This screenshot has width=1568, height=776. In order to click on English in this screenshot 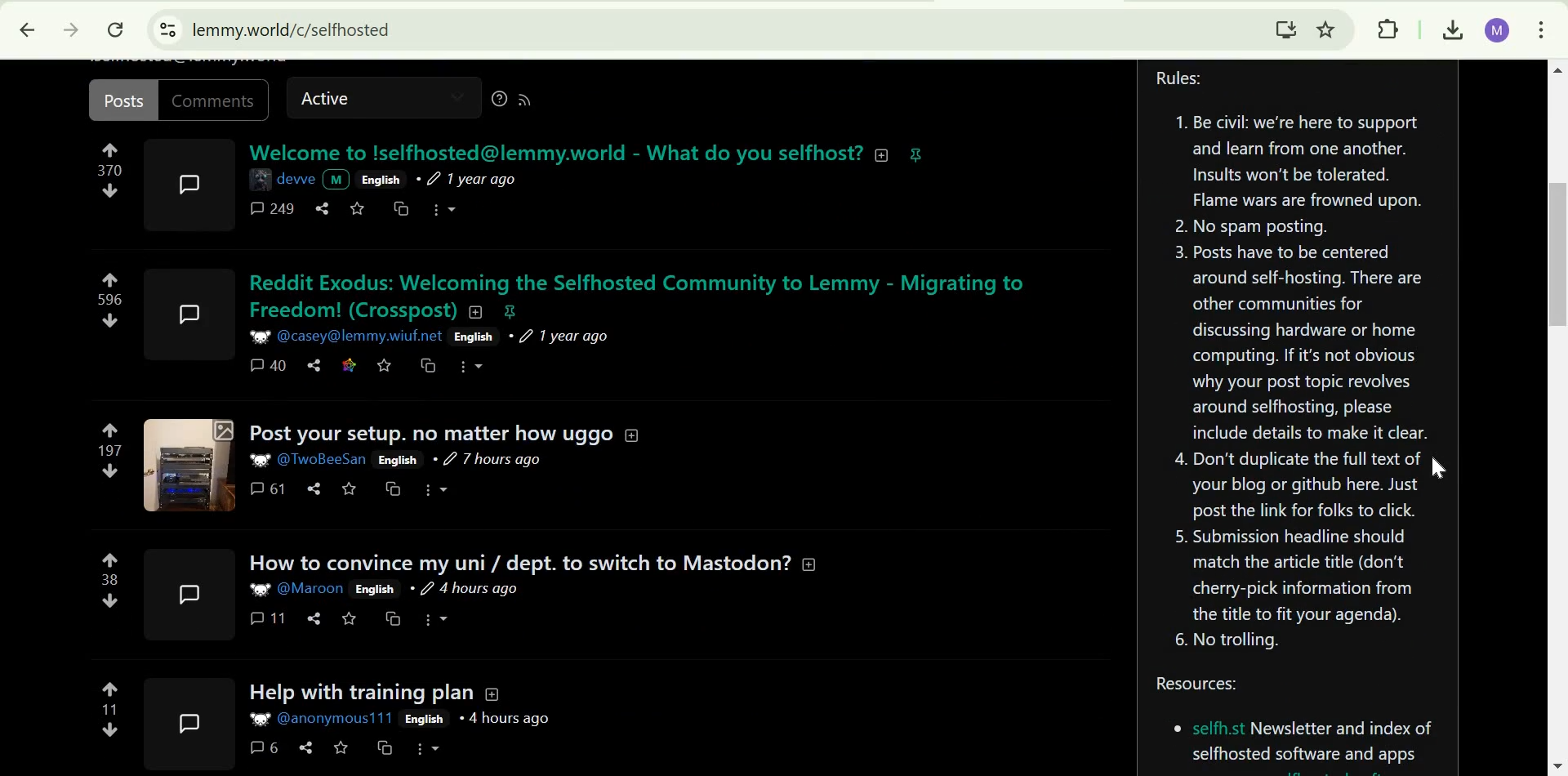, I will do `click(425, 720)`.